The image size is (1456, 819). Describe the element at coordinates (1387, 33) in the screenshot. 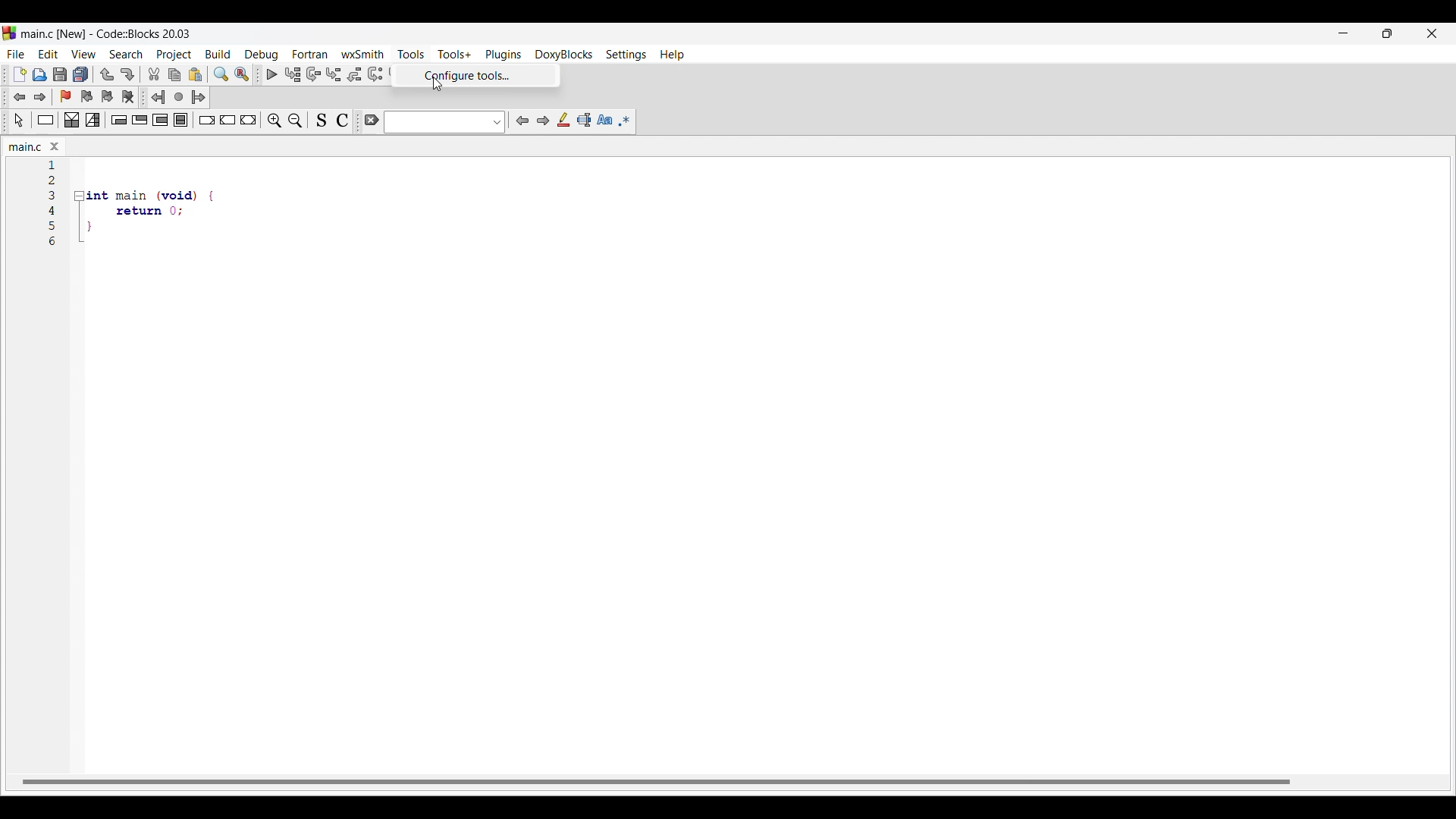

I see `Show interface in smaller tab` at that location.